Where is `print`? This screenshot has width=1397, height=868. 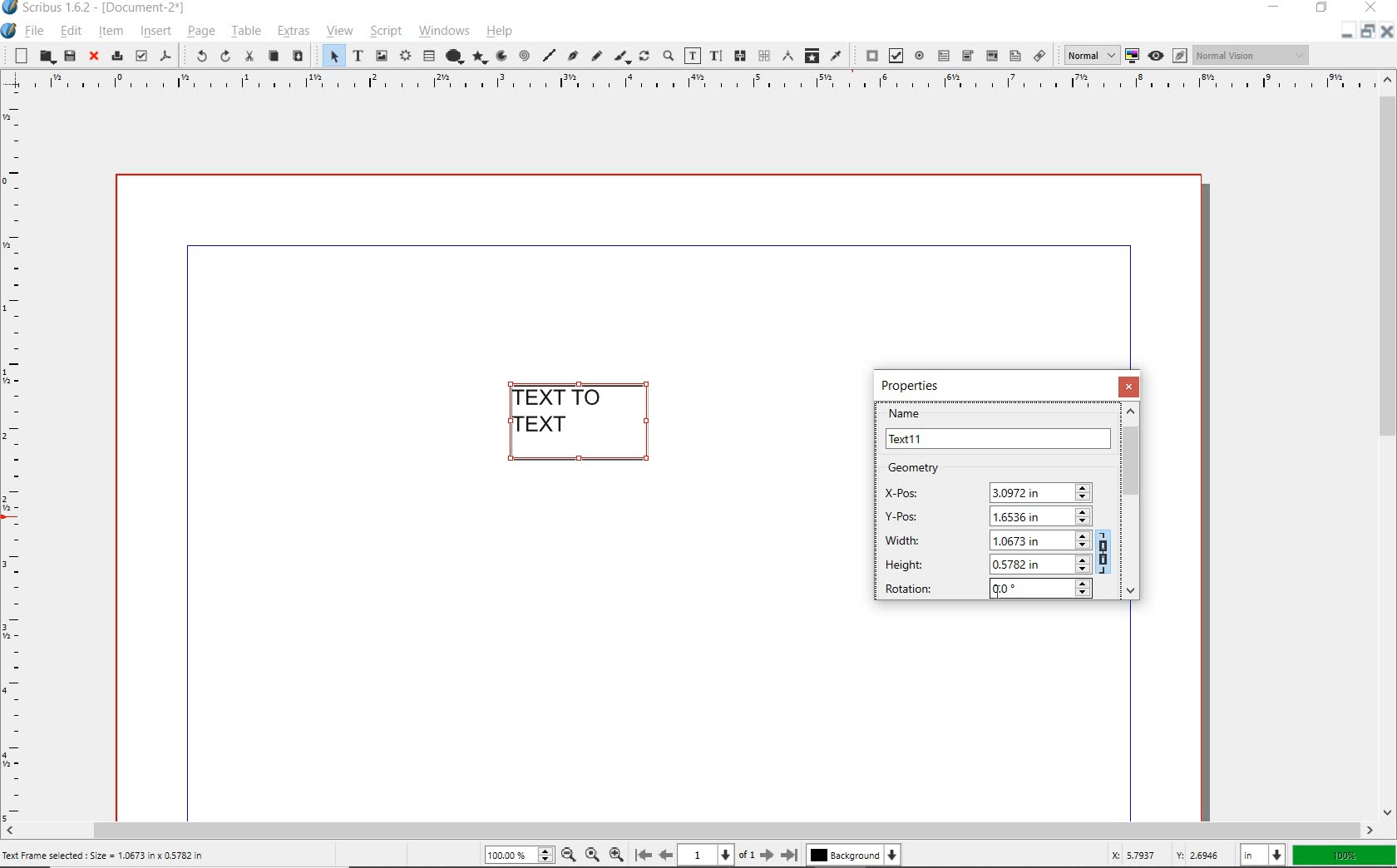 print is located at coordinates (116, 57).